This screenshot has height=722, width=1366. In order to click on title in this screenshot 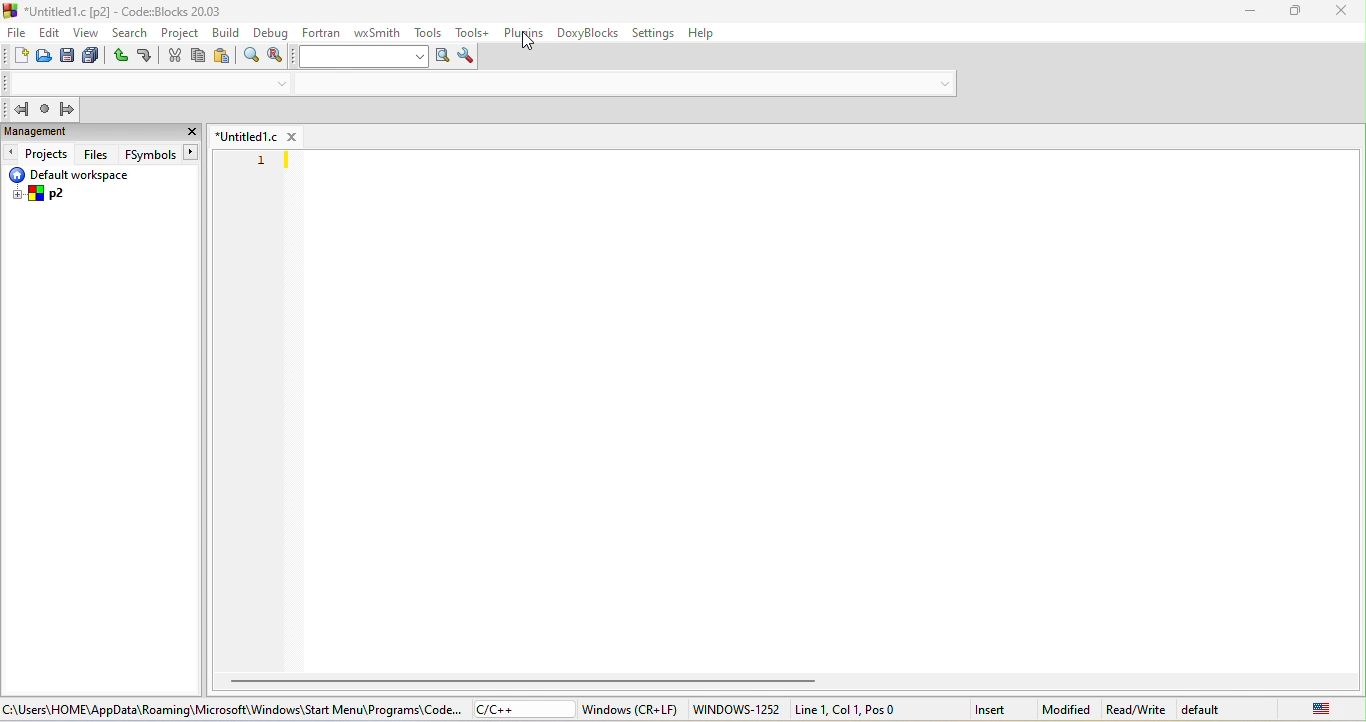, I will do `click(117, 10)`.